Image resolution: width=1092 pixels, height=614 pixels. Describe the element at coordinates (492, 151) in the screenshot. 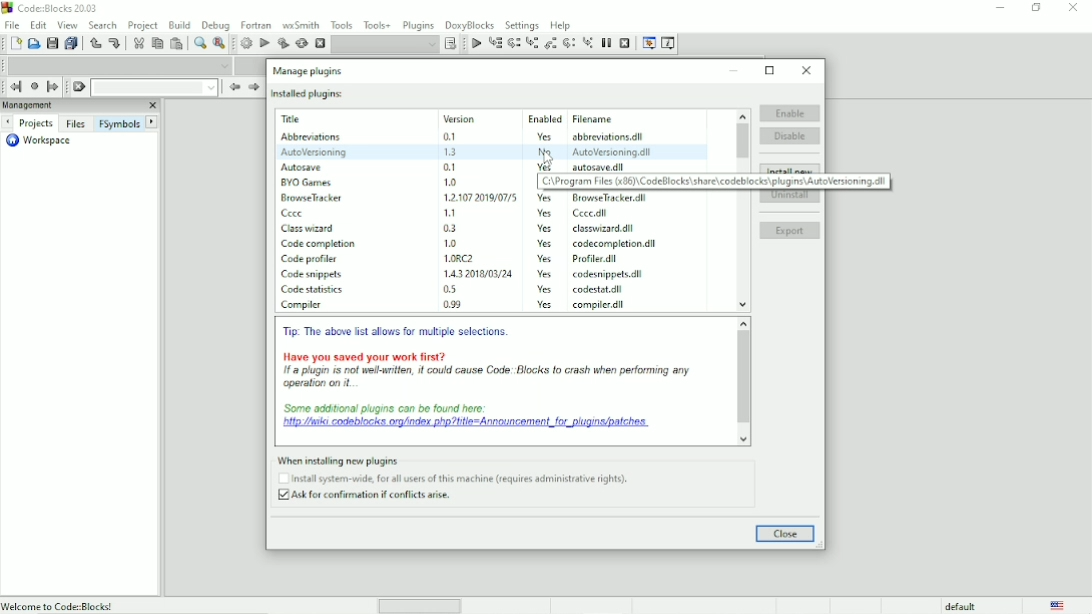

I see `selected plugin ` at that location.